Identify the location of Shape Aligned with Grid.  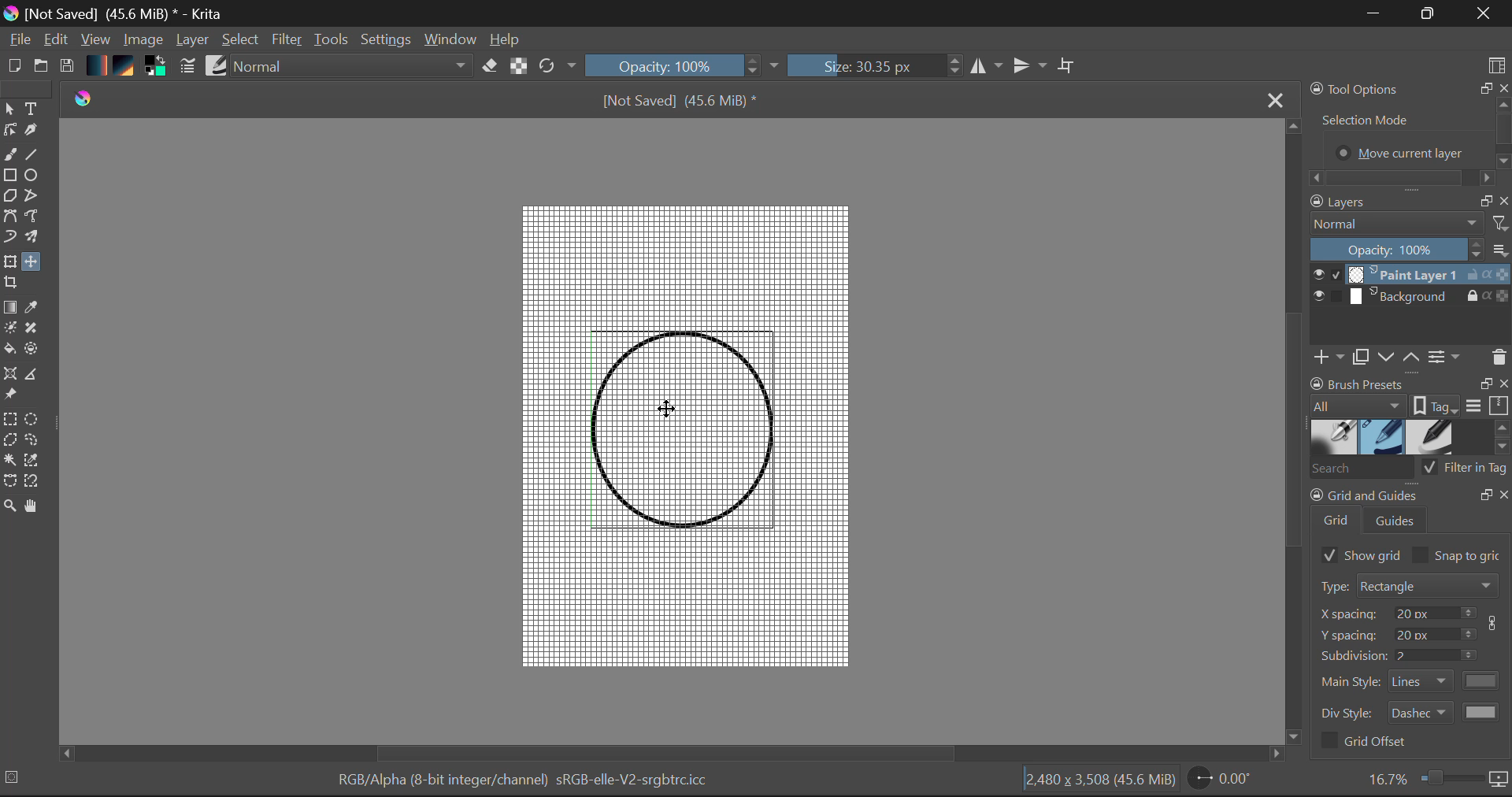
(680, 428).